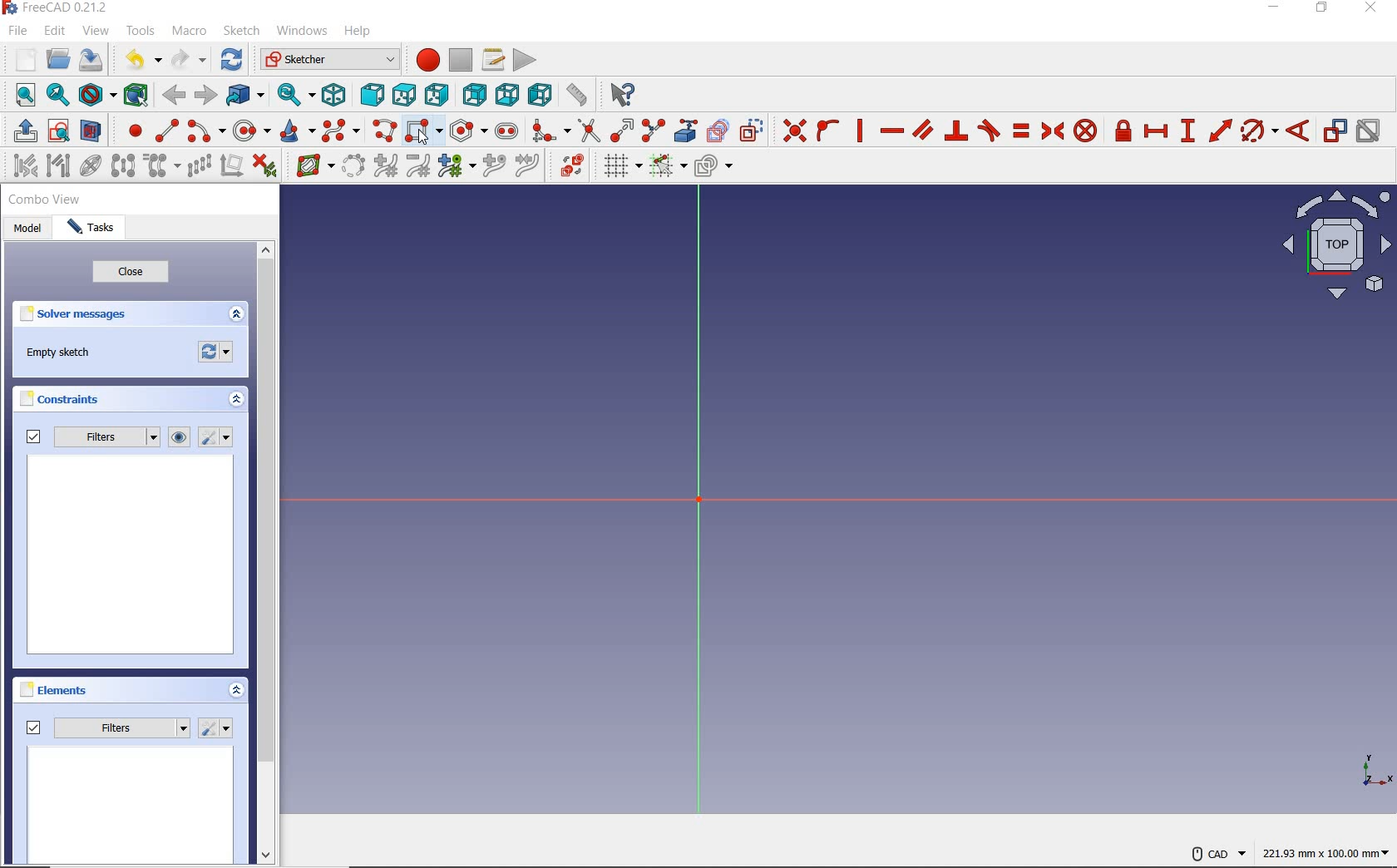 The width and height of the screenshot is (1397, 868). Describe the element at coordinates (891, 131) in the screenshot. I see `constrain horizontally` at that location.